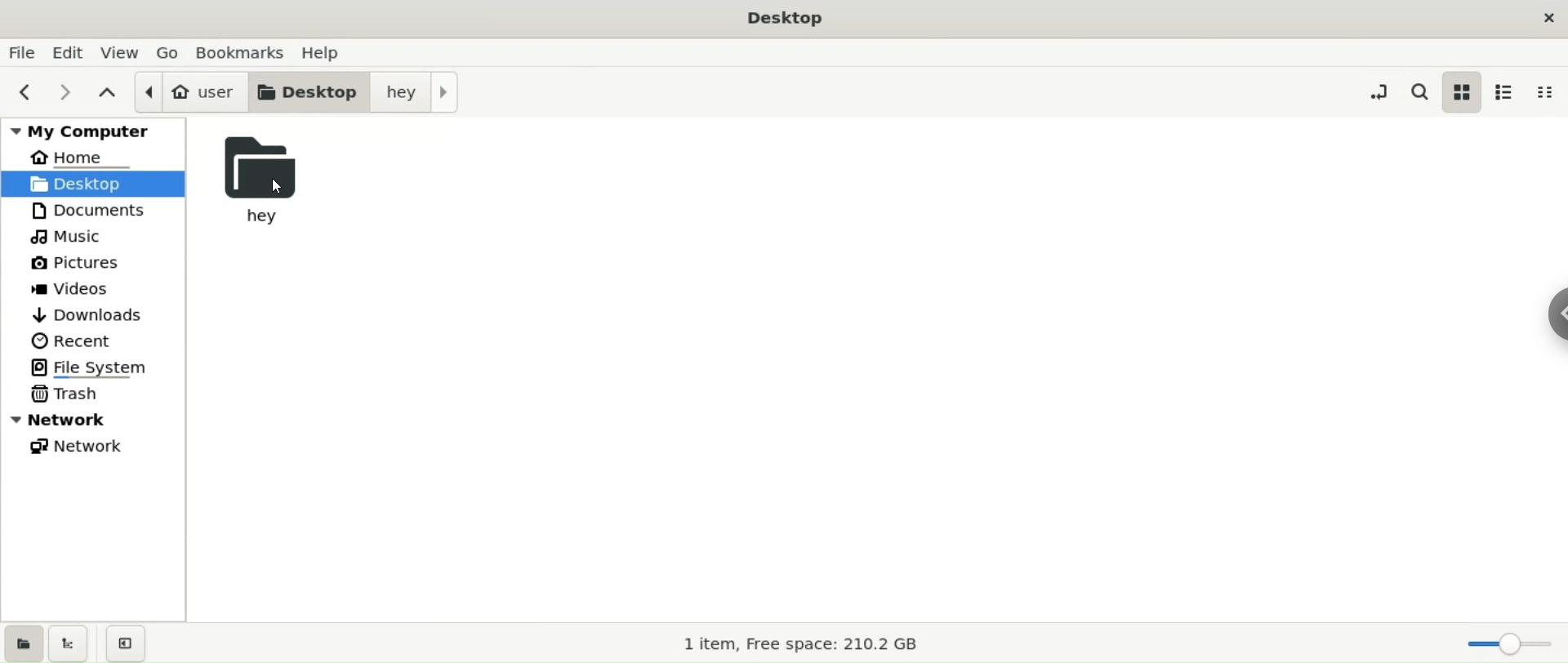  I want to click on hey, so click(415, 92).